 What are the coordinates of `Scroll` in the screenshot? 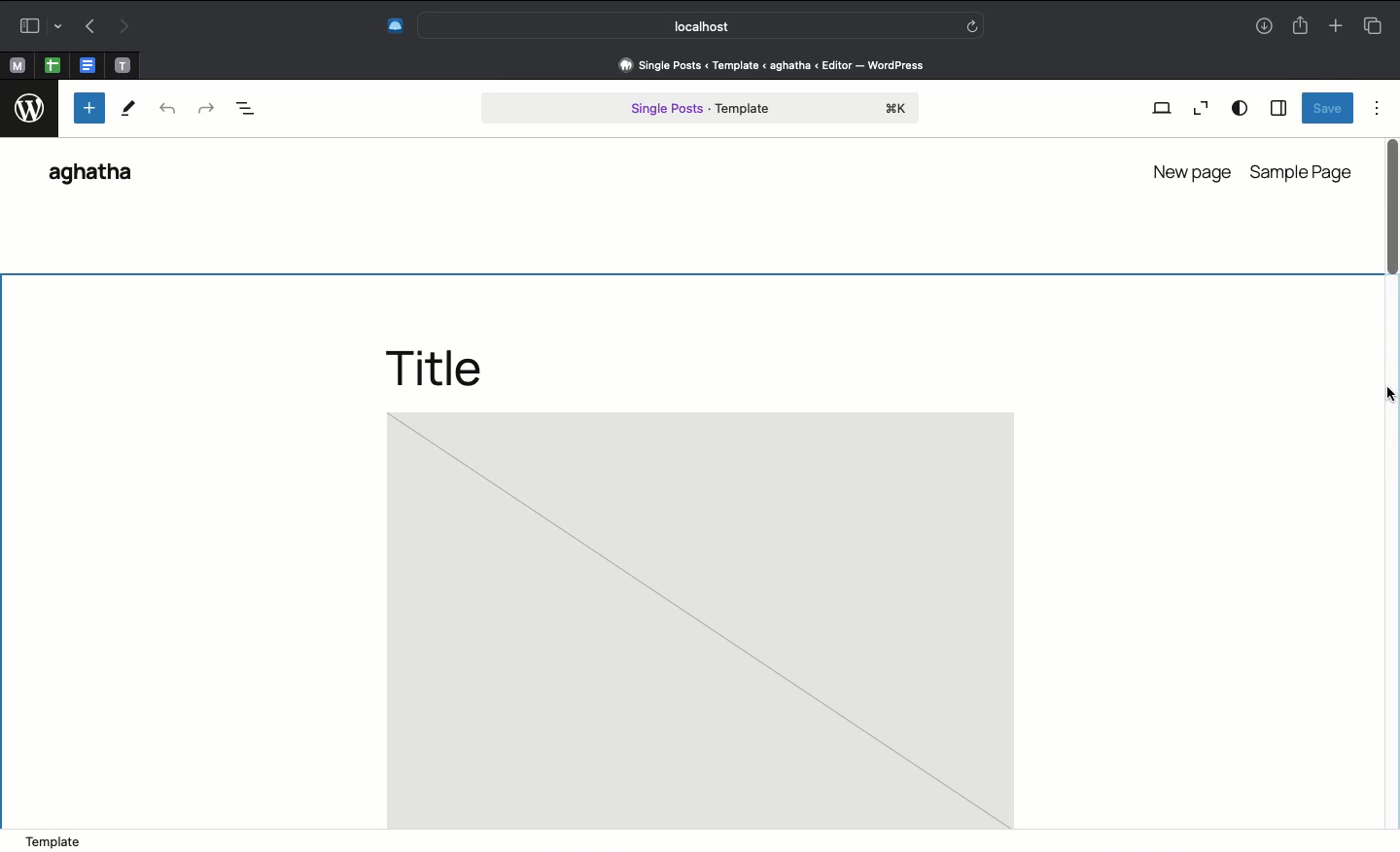 It's located at (1389, 249).